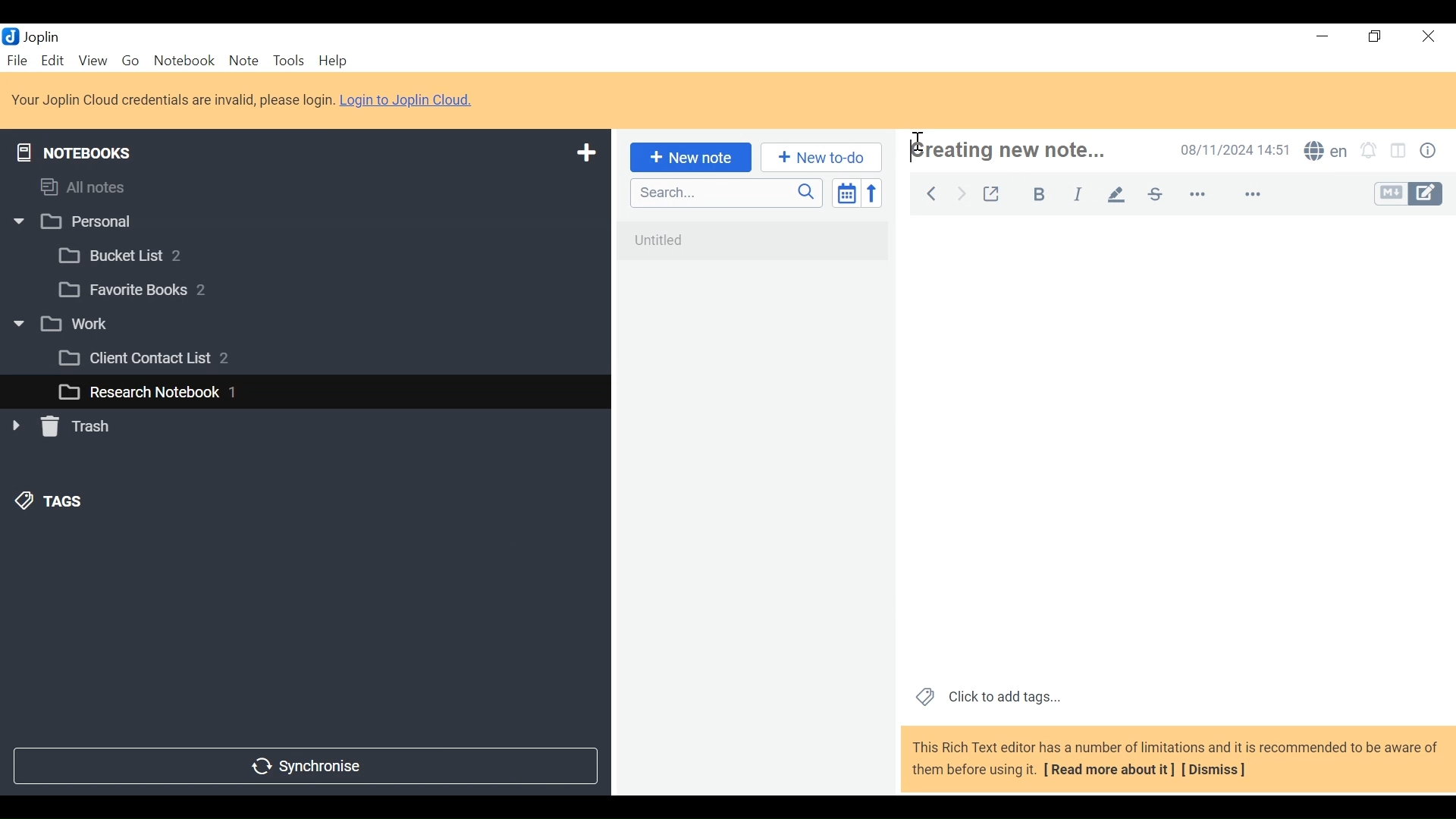  Describe the element at coordinates (585, 153) in the screenshot. I see `Add New Notebook` at that location.